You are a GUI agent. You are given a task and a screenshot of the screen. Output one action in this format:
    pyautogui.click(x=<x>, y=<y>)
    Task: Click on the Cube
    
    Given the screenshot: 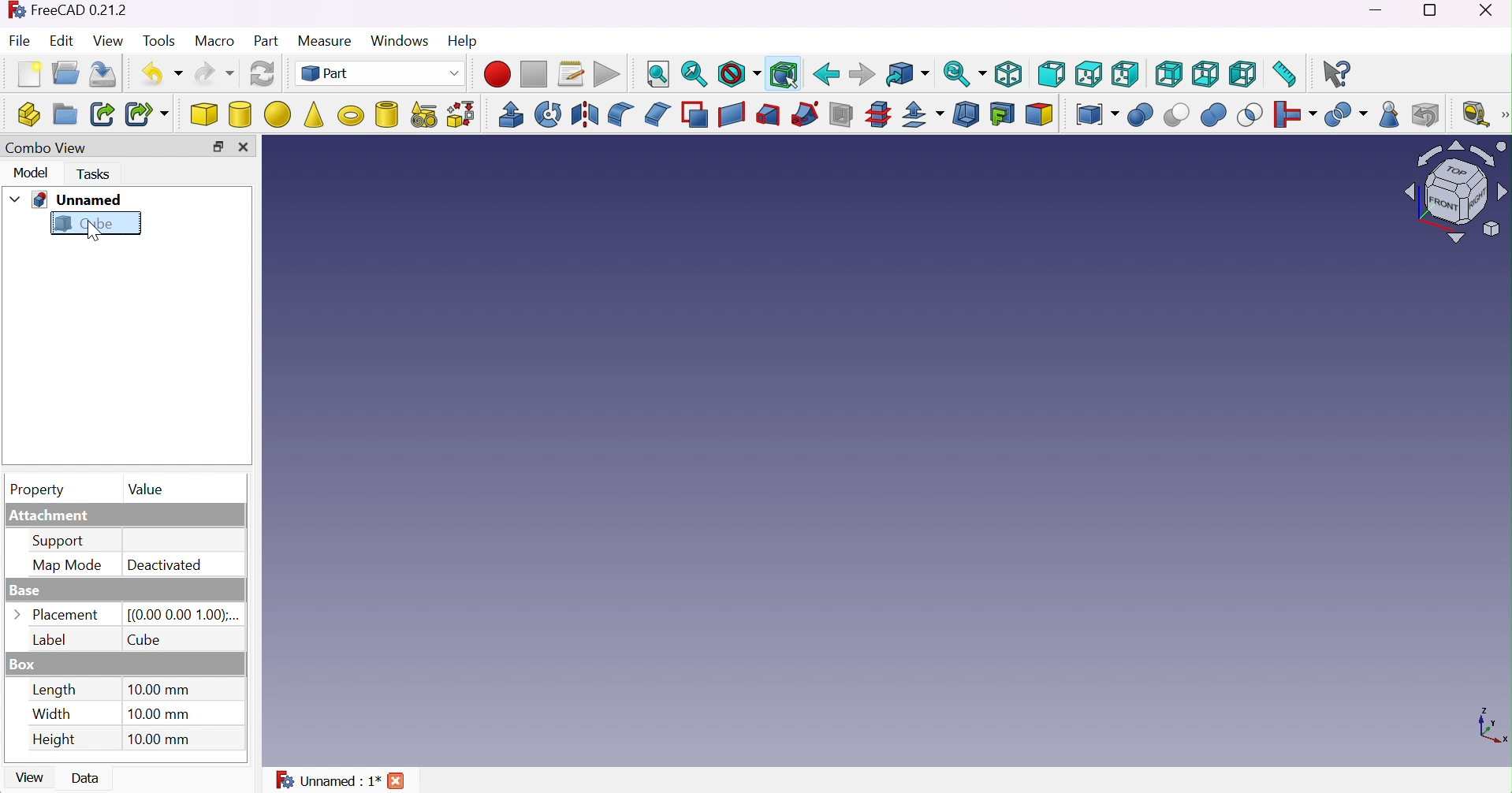 What is the action you would take?
    pyautogui.click(x=205, y=114)
    